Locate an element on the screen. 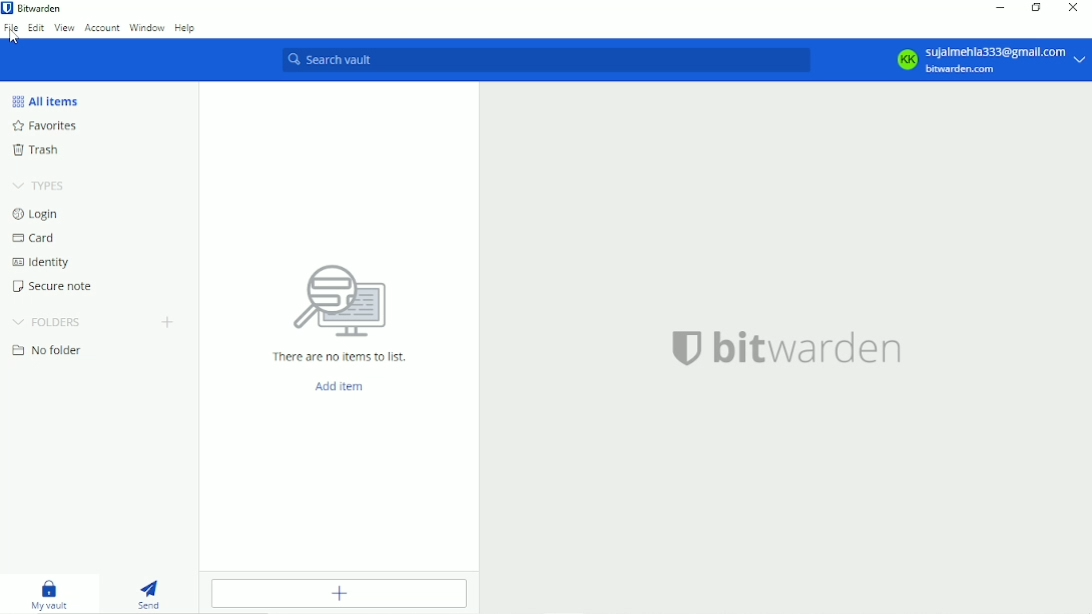  Add item is located at coordinates (335, 386).